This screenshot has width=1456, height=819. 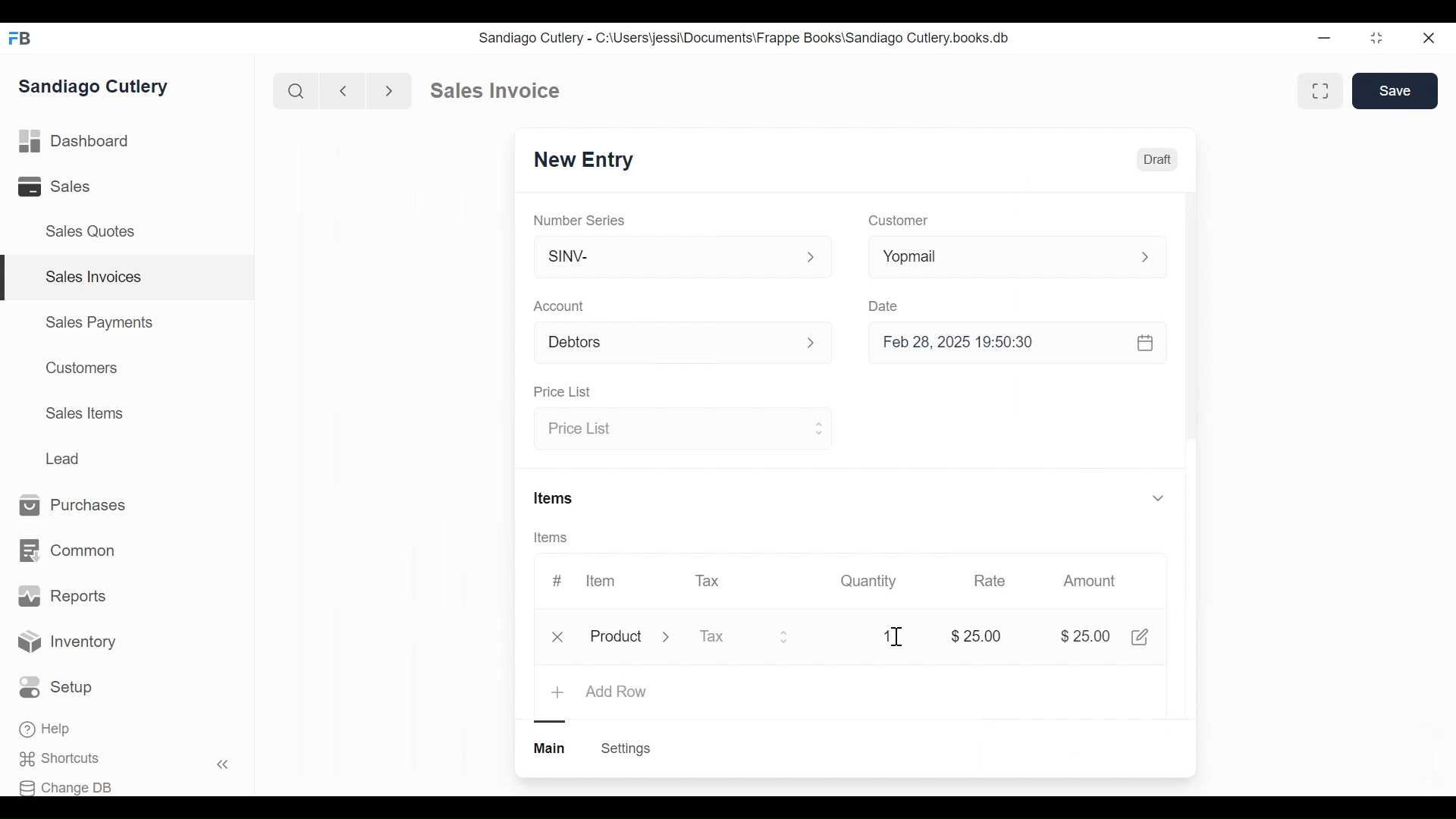 I want to click on Inventory, so click(x=67, y=644).